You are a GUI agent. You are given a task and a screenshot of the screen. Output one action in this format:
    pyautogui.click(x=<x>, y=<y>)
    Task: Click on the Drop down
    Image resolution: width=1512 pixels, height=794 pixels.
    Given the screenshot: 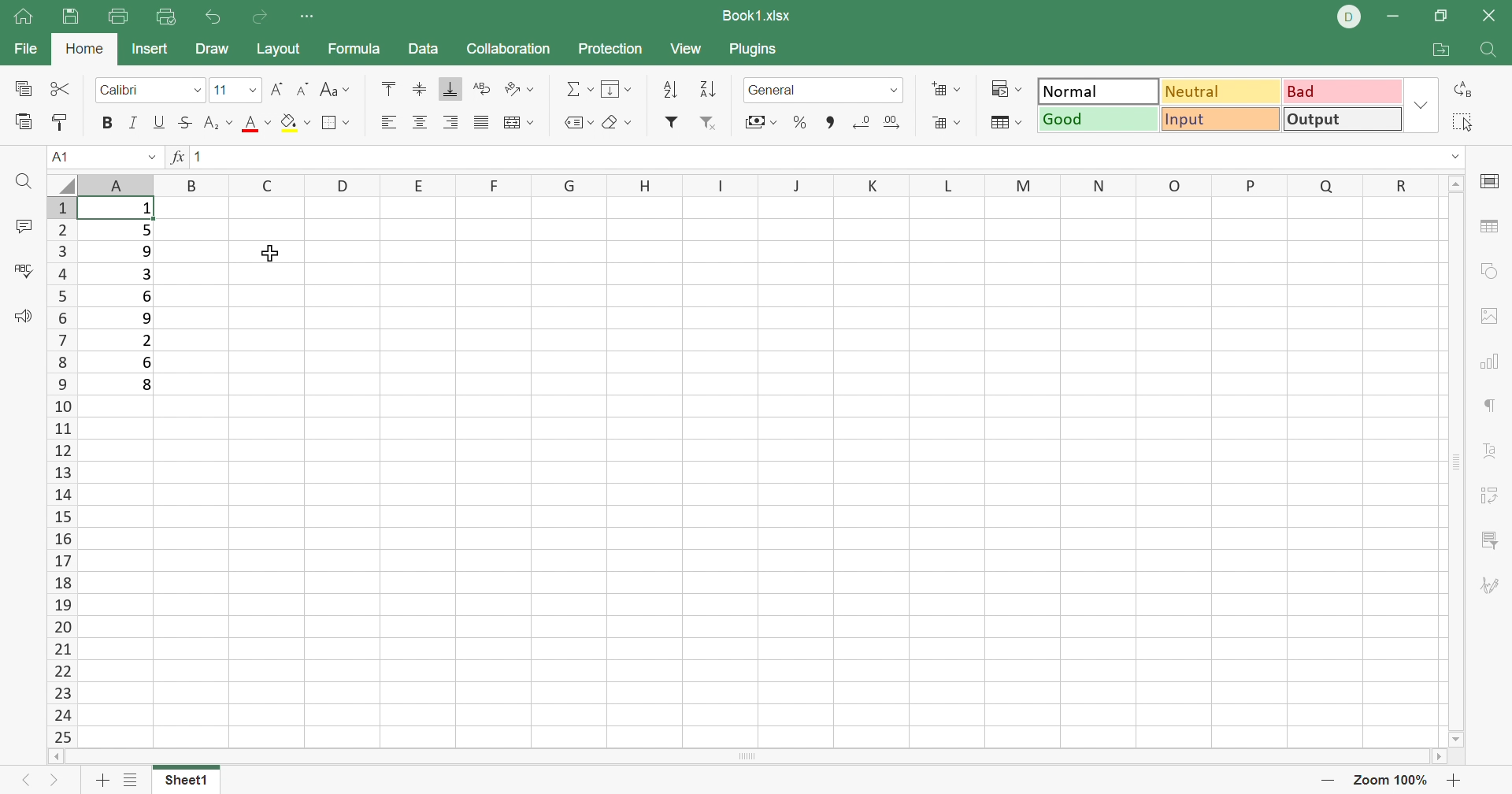 What is the action you would take?
    pyautogui.click(x=1455, y=158)
    